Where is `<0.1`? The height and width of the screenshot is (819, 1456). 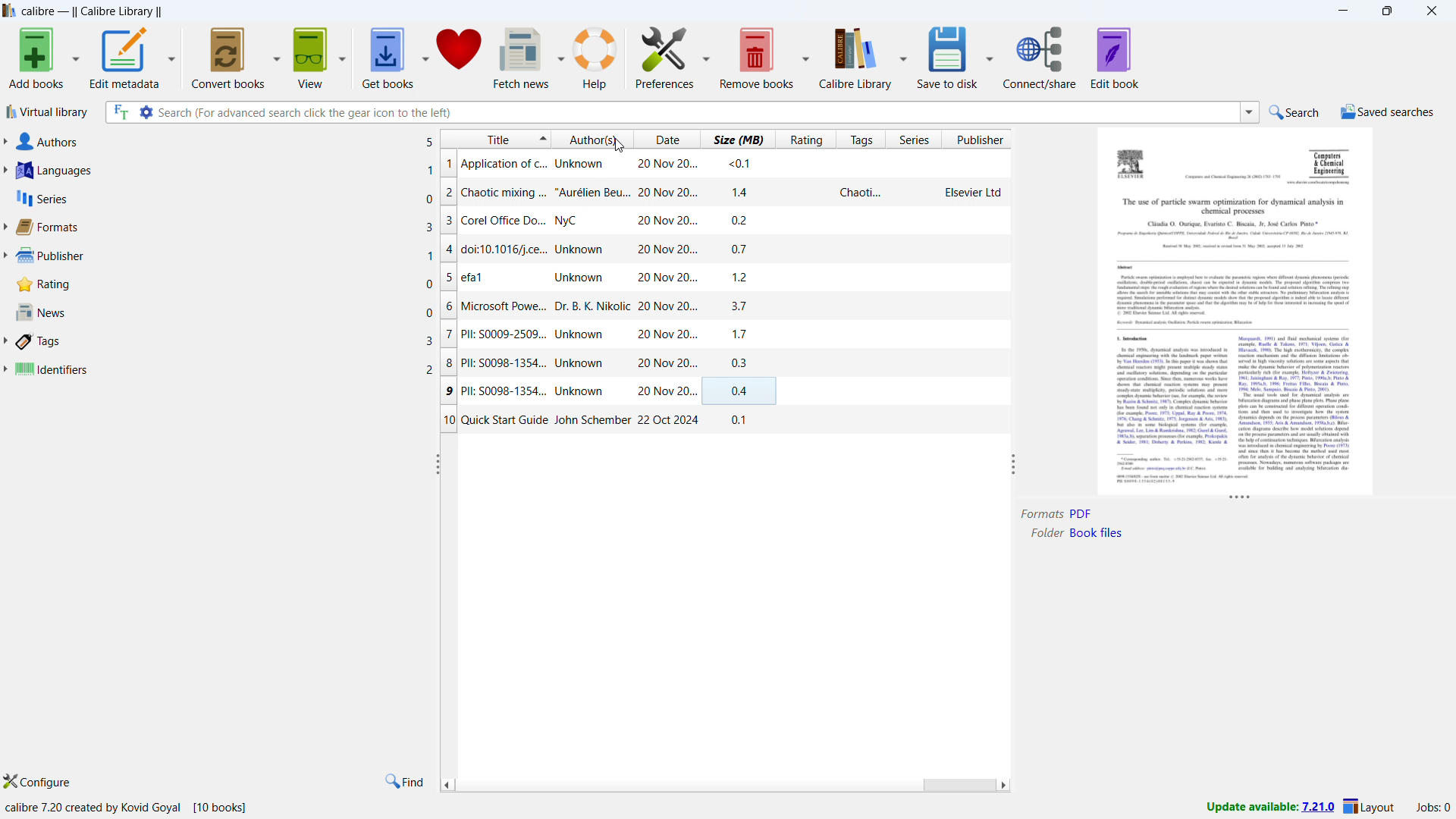 <0.1 is located at coordinates (739, 162).